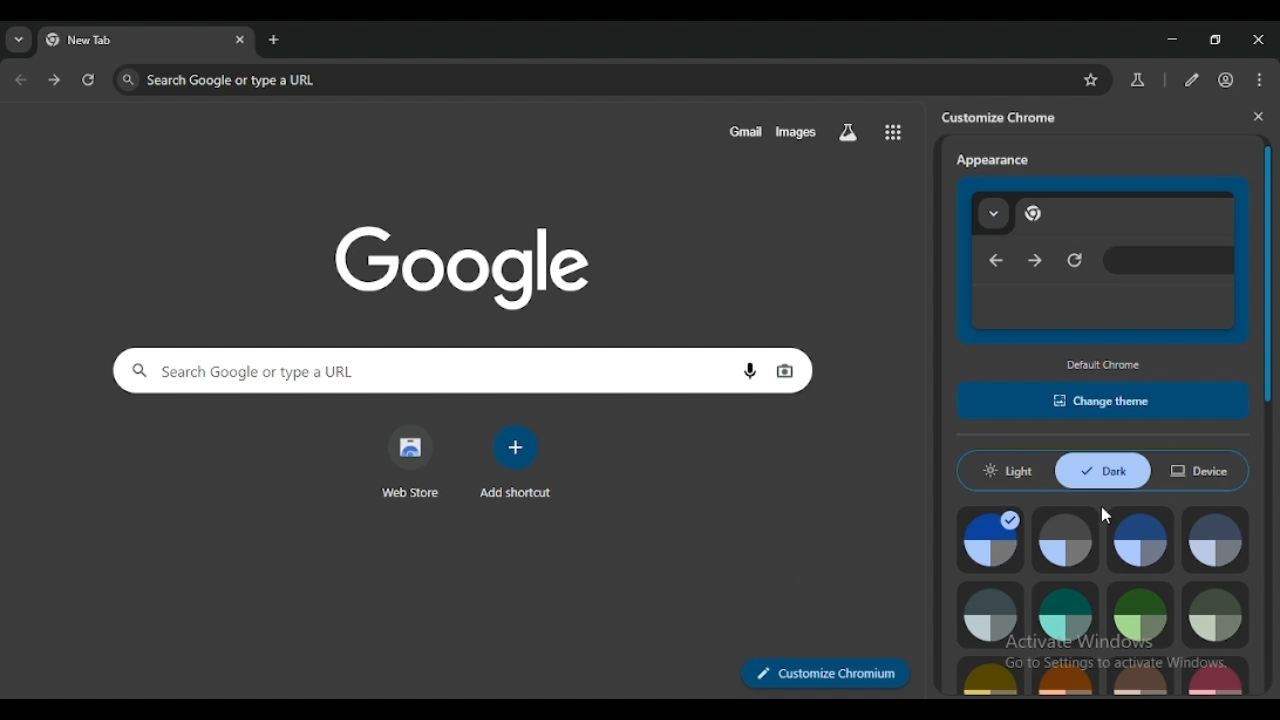 This screenshot has height=720, width=1280. I want to click on appearance, so click(996, 160).